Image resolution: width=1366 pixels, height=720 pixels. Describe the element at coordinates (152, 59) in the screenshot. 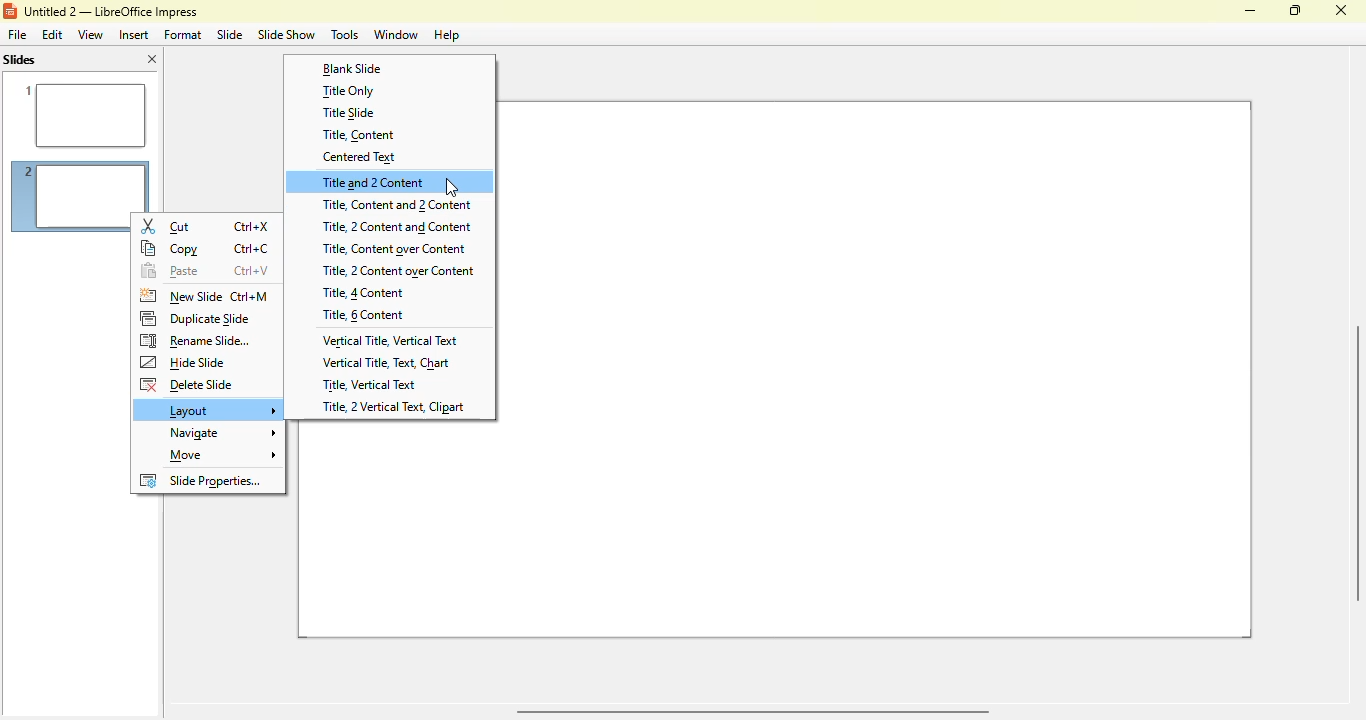

I see `close pane` at that location.